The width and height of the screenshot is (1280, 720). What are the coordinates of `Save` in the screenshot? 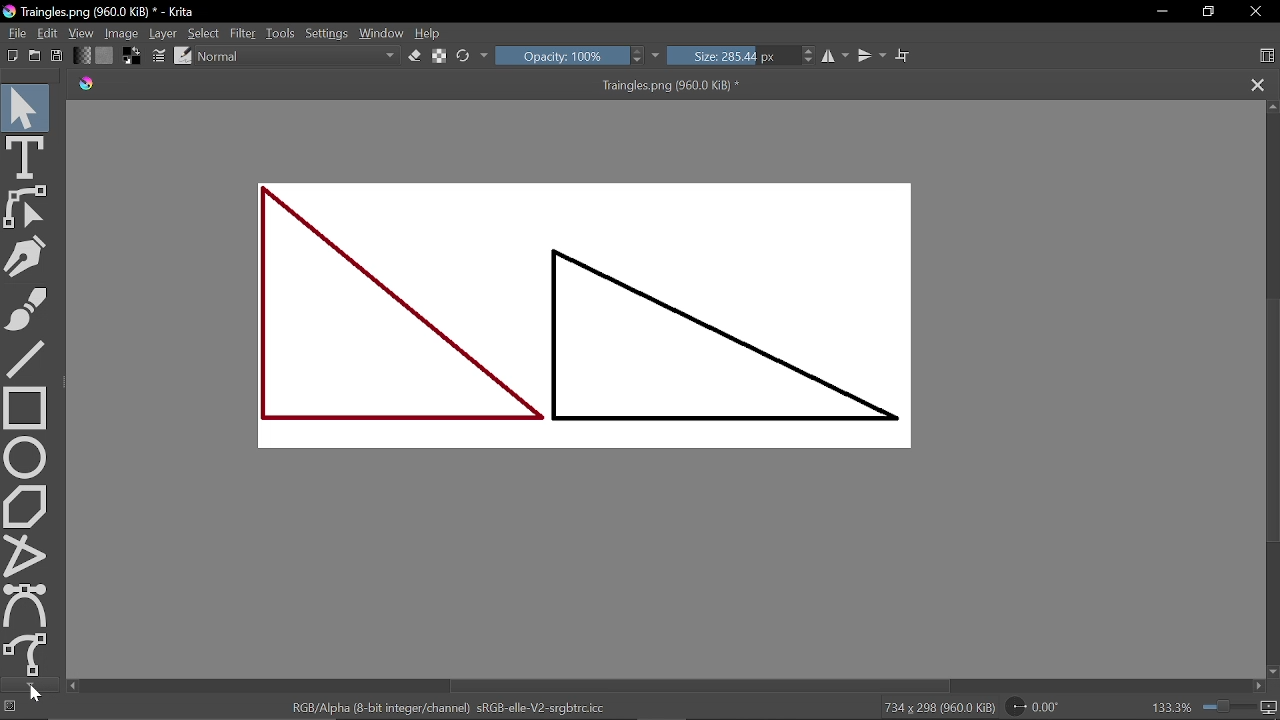 It's located at (54, 56).